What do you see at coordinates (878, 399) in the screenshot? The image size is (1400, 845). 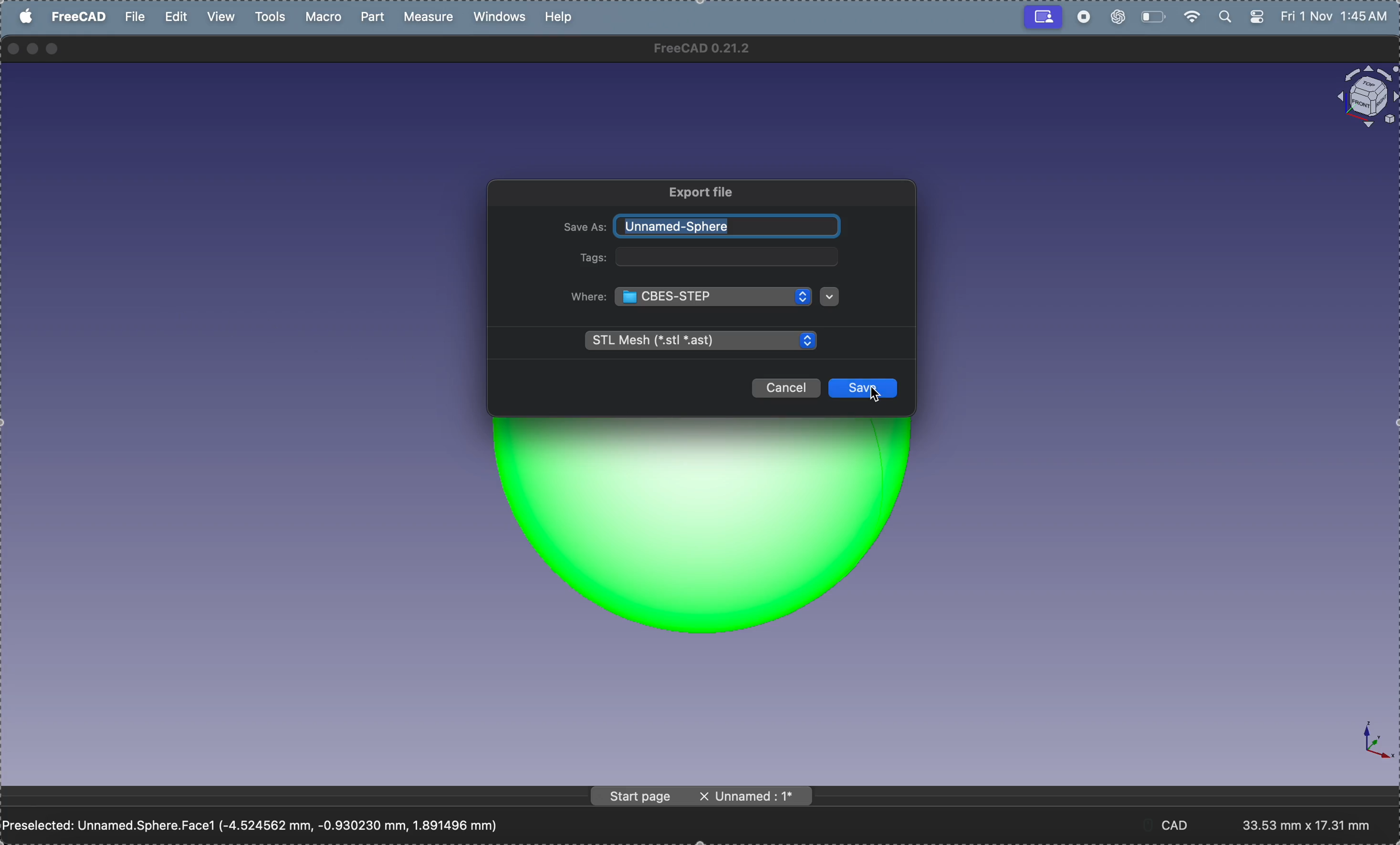 I see `cursor` at bounding box center [878, 399].